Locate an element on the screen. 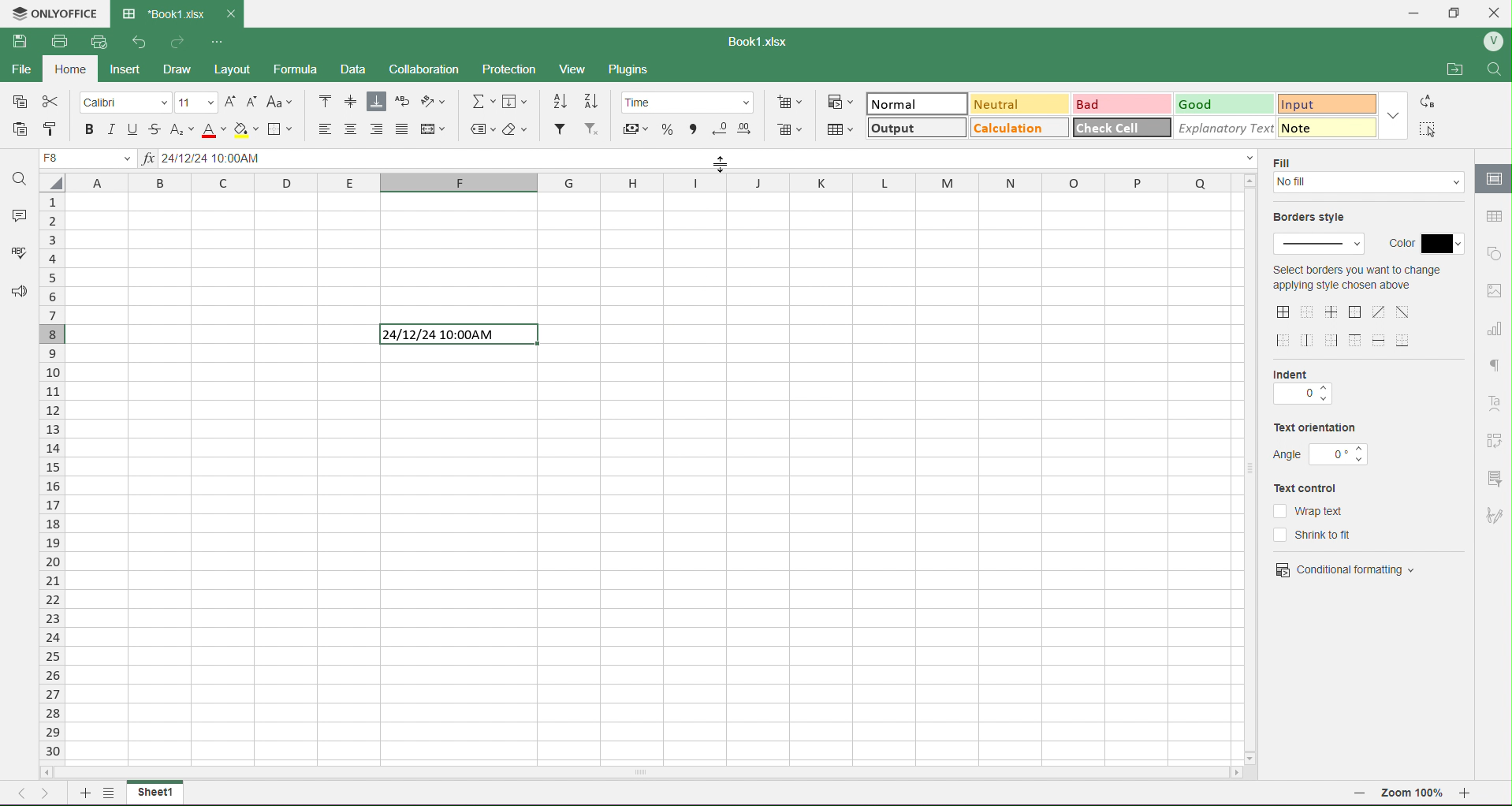 The image size is (1512, 806). outer border is located at coordinates (1357, 313).